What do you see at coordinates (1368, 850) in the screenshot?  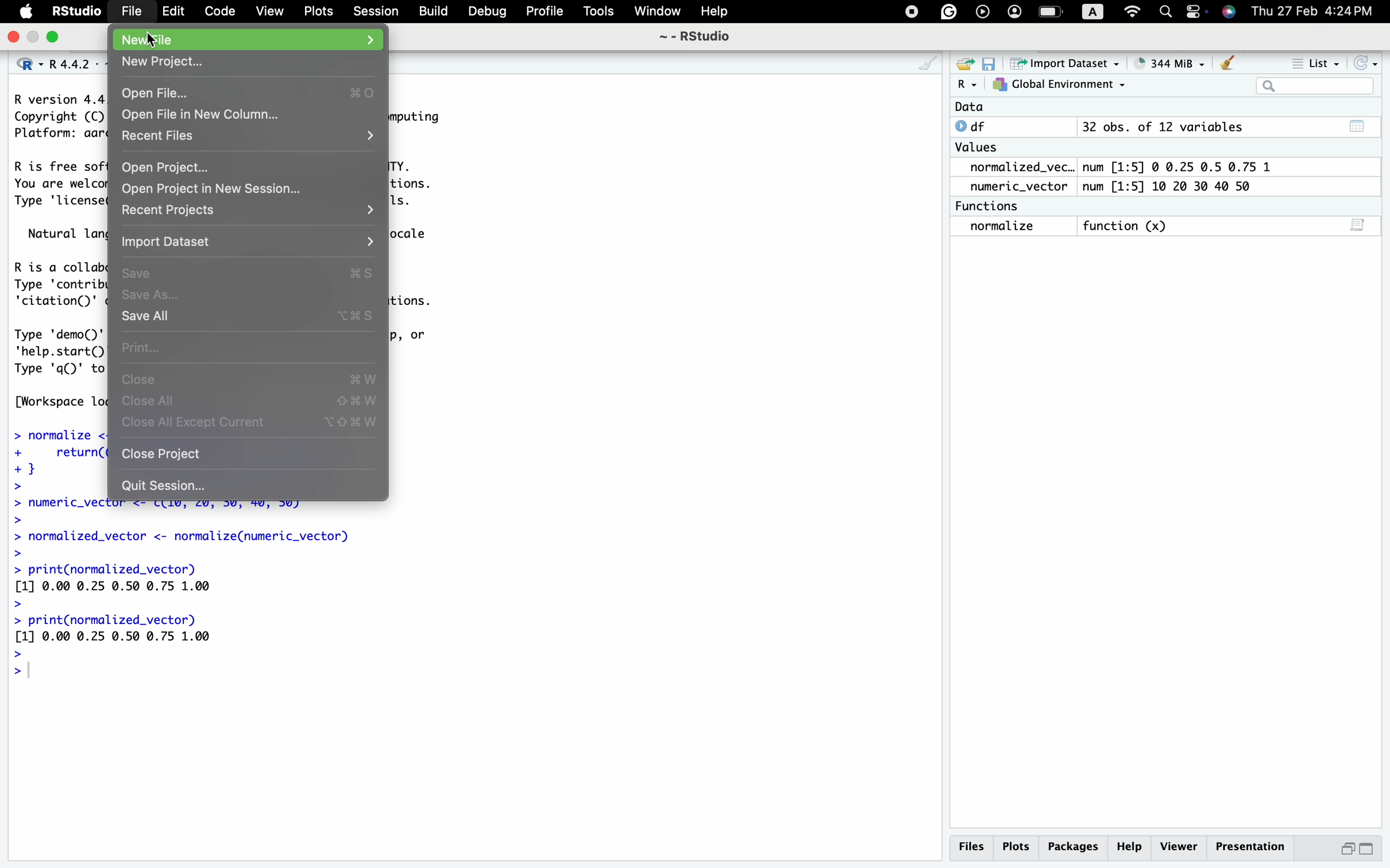 I see `maximize` at bounding box center [1368, 850].